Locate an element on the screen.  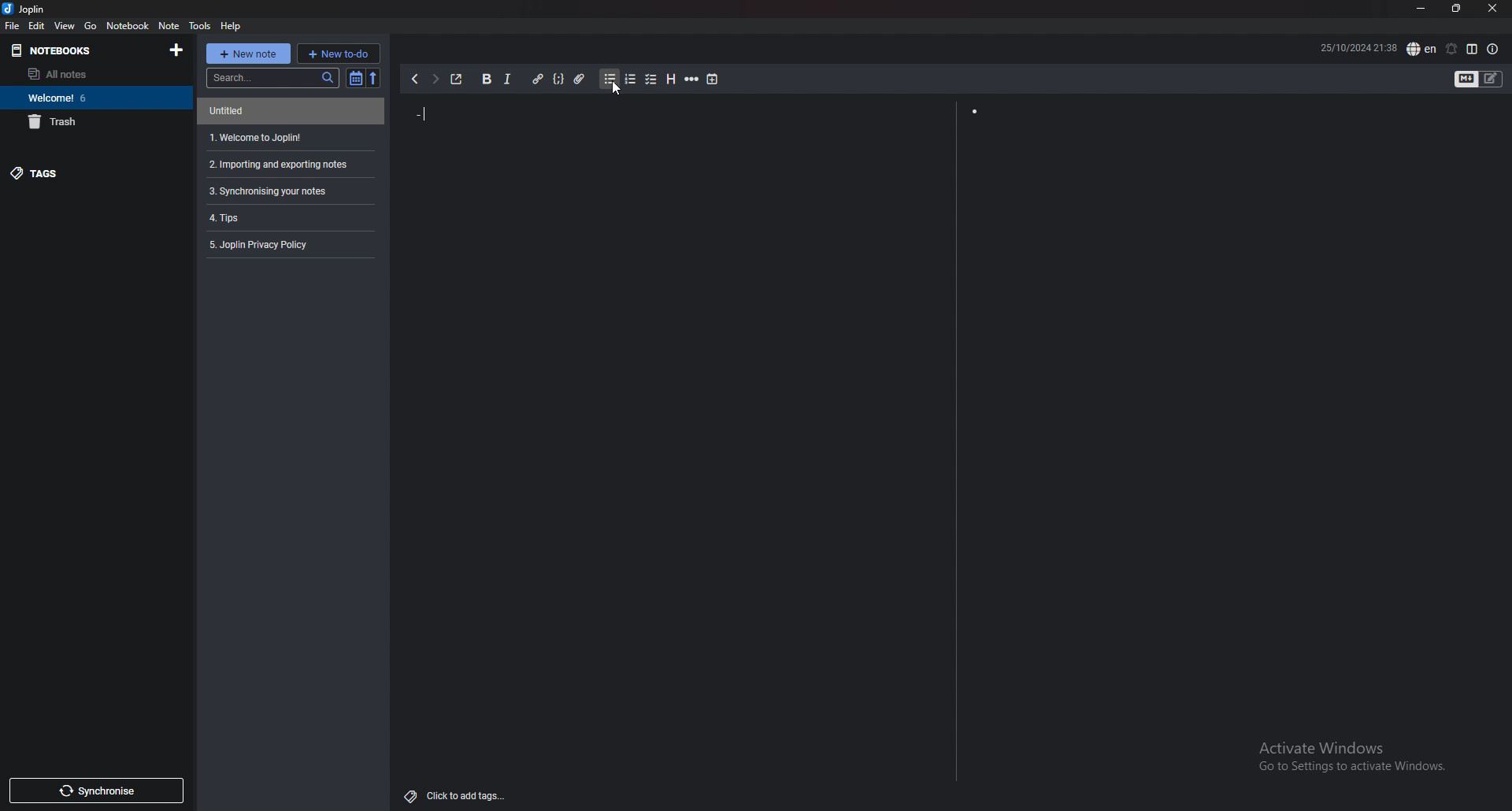
add notebook is located at coordinates (175, 50).